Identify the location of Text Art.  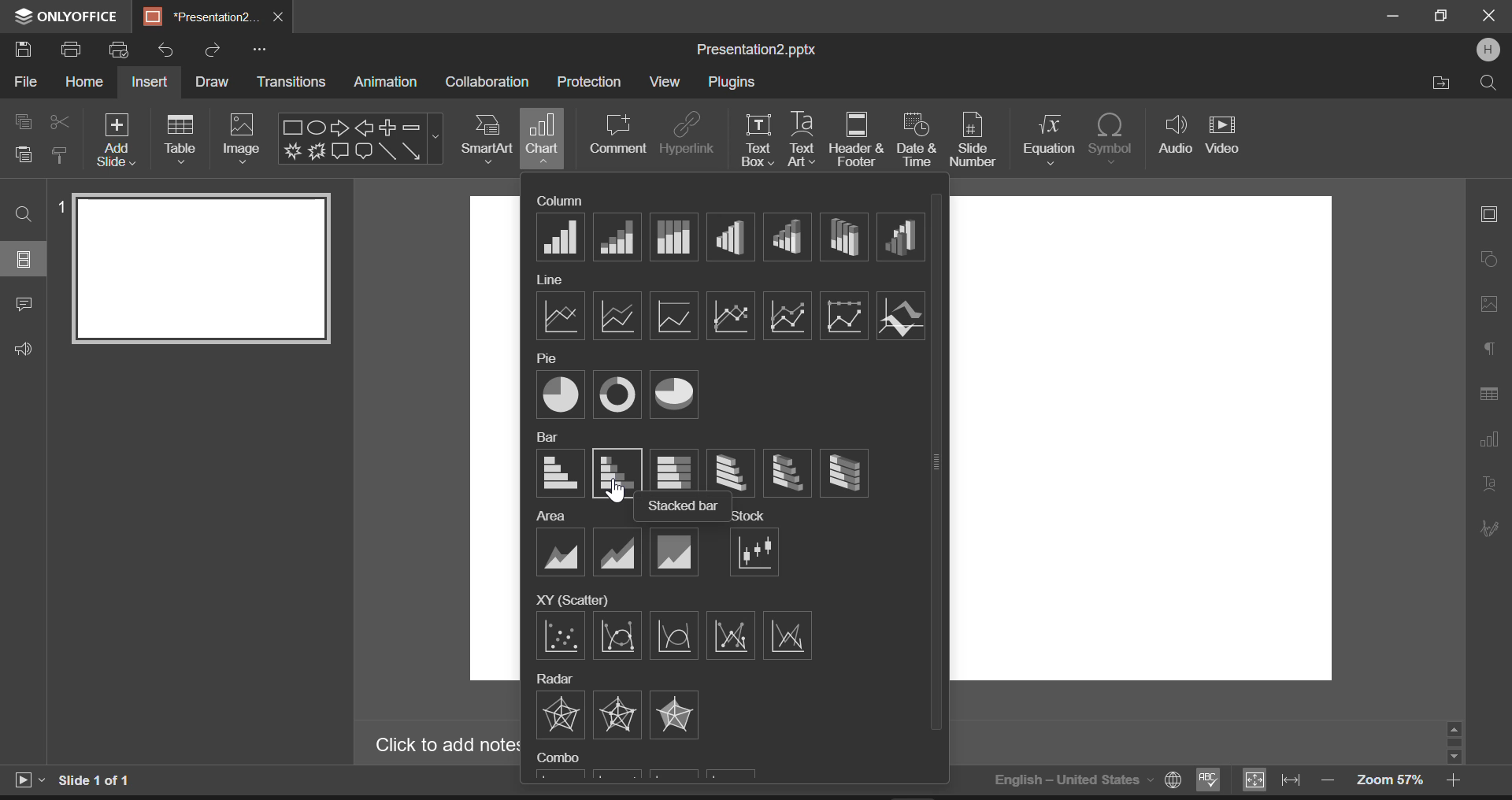
(800, 139).